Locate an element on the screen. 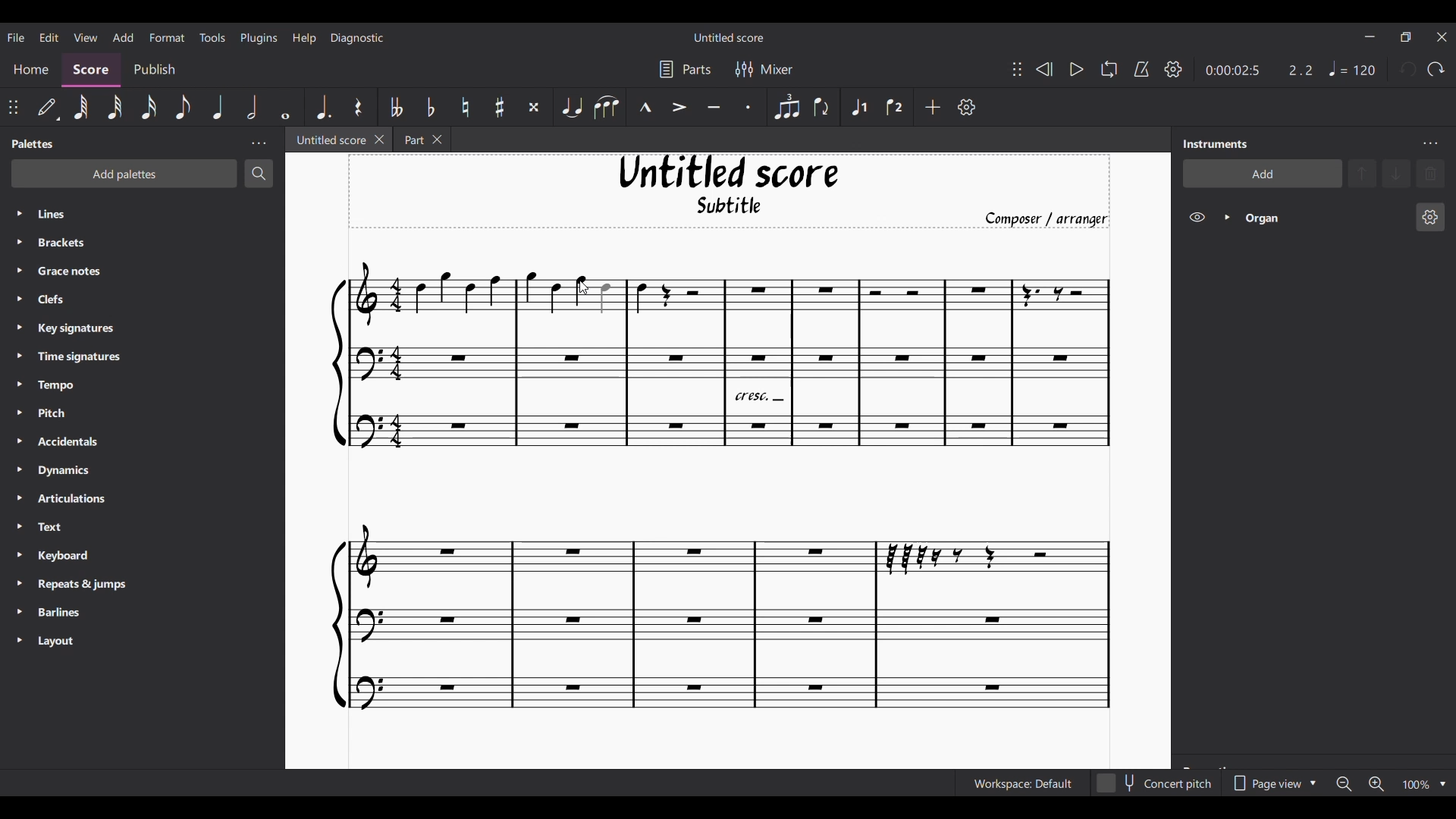  Tuplet is located at coordinates (786, 108).